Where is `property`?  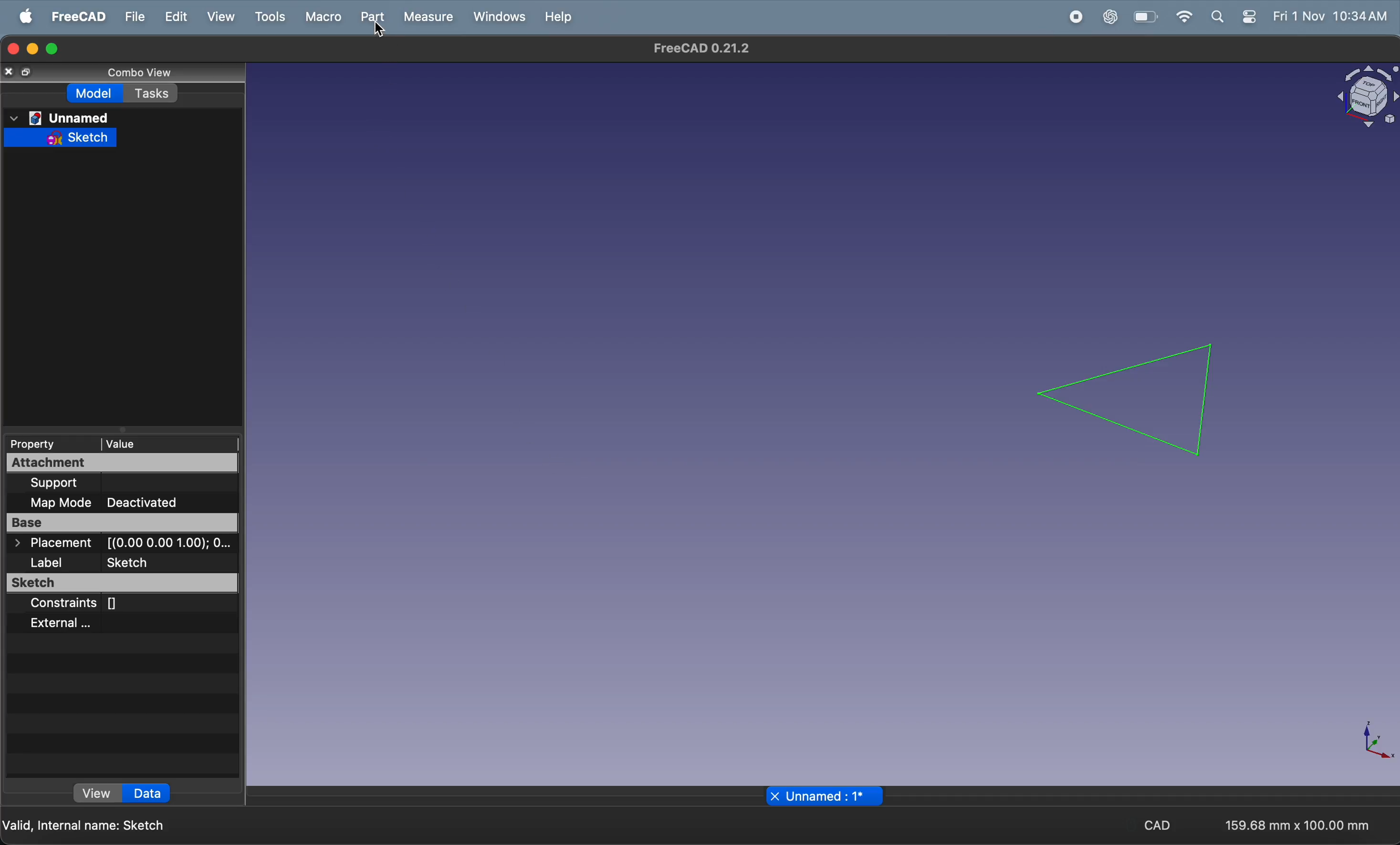 property is located at coordinates (39, 443).